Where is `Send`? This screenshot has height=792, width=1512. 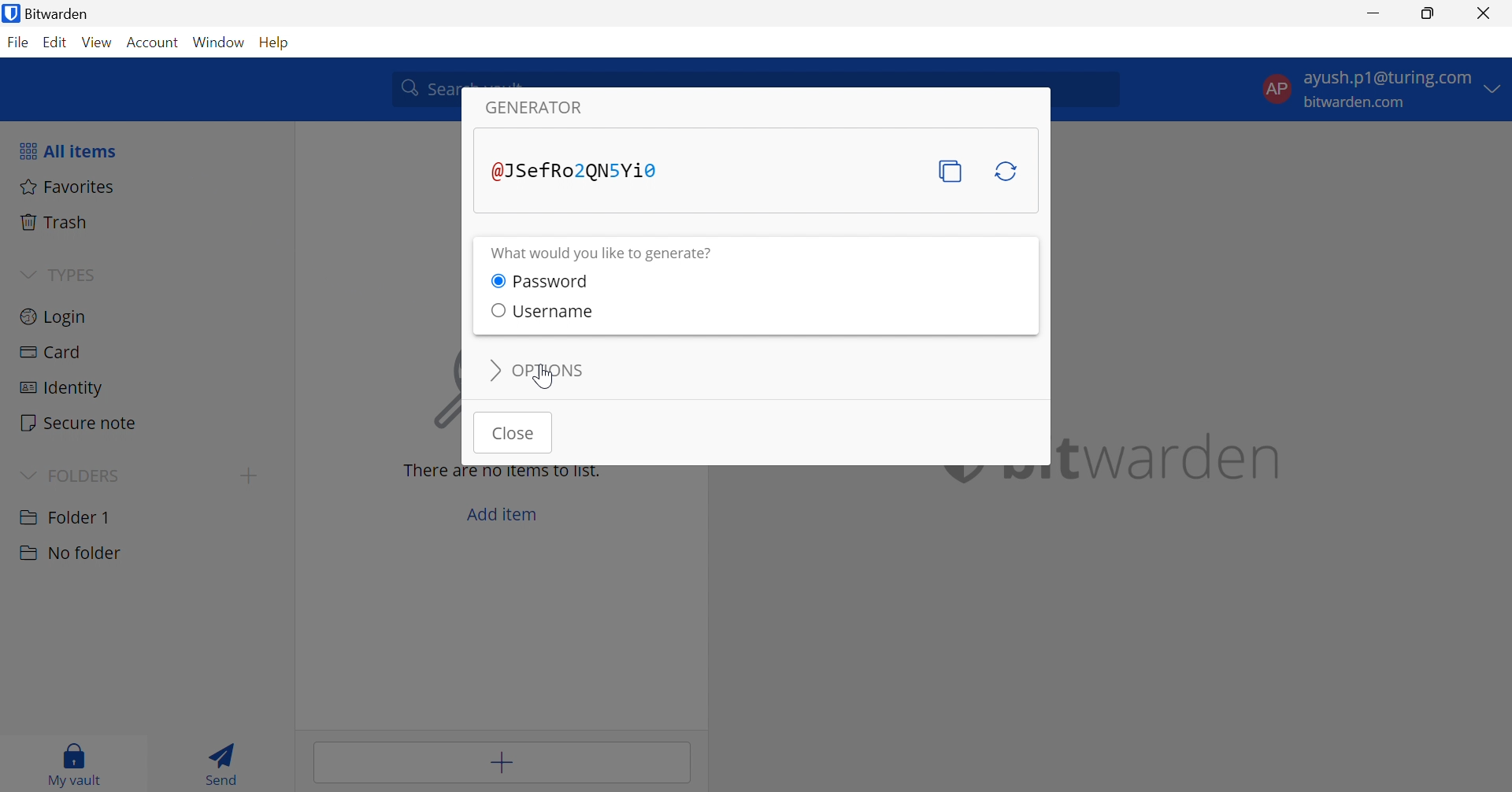
Send is located at coordinates (224, 762).